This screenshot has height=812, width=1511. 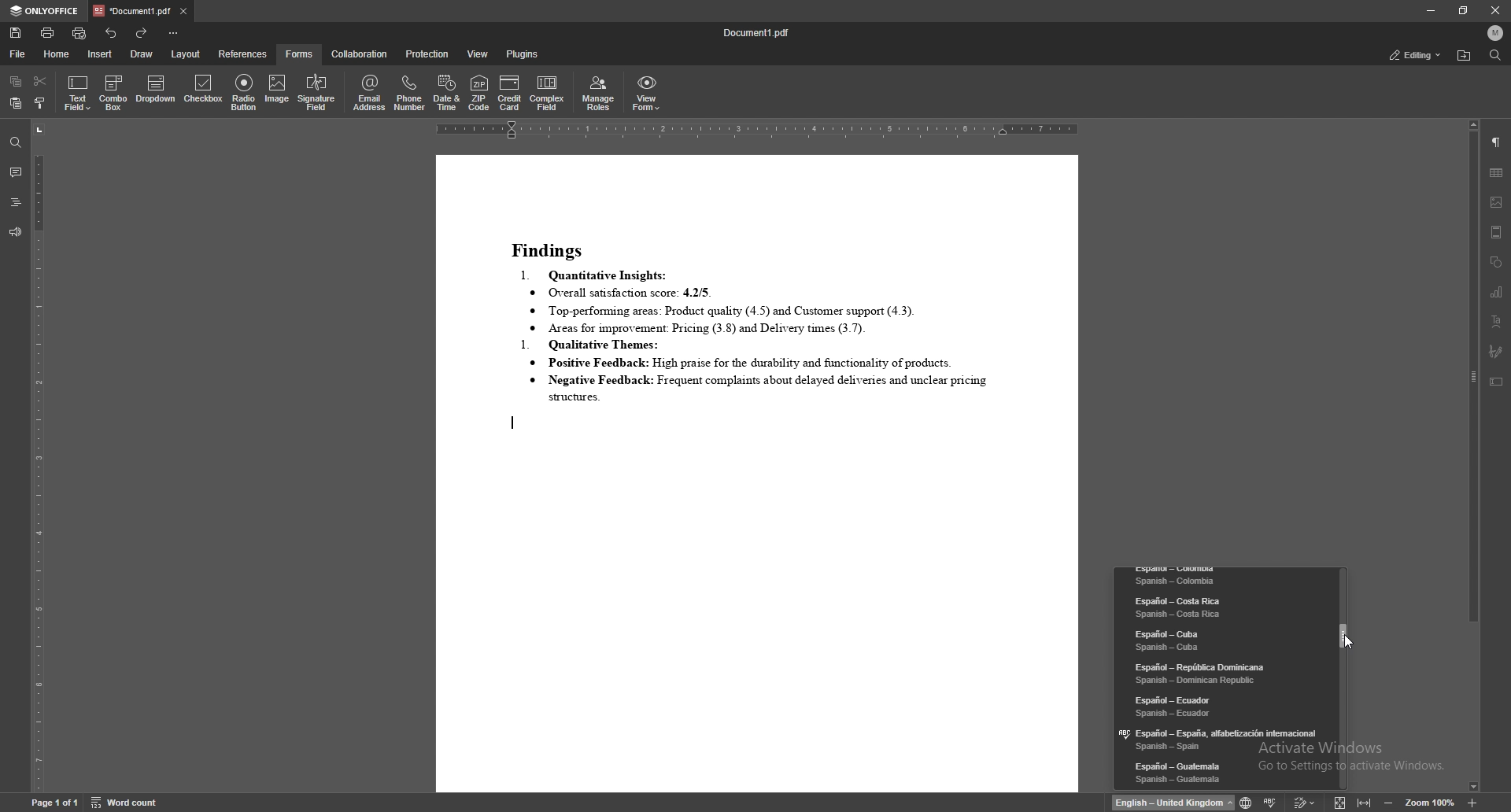 I want to click on manage roles, so click(x=599, y=94).